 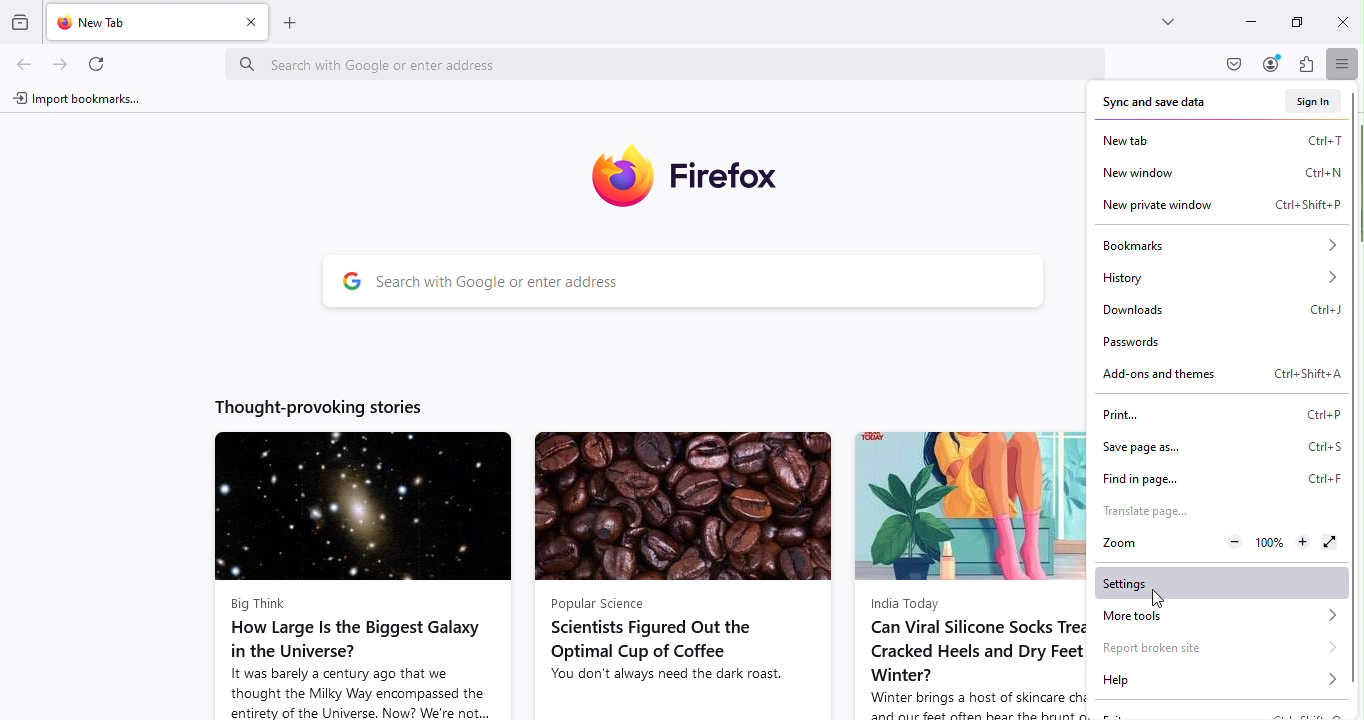 I want to click on Add-ons and themes, so click(x=1217, y=370).